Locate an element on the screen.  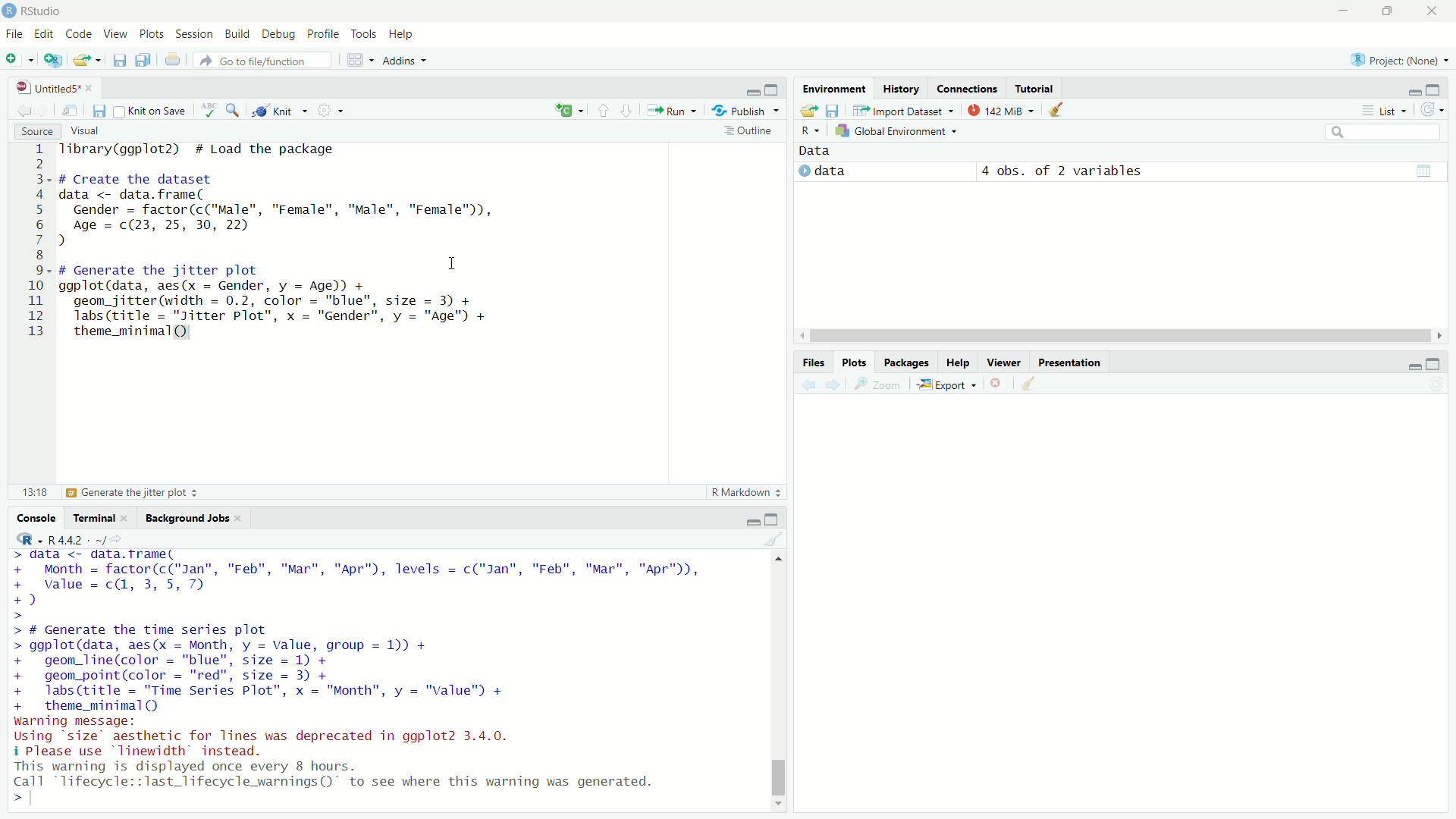
file is located at coordinates (14, 34).